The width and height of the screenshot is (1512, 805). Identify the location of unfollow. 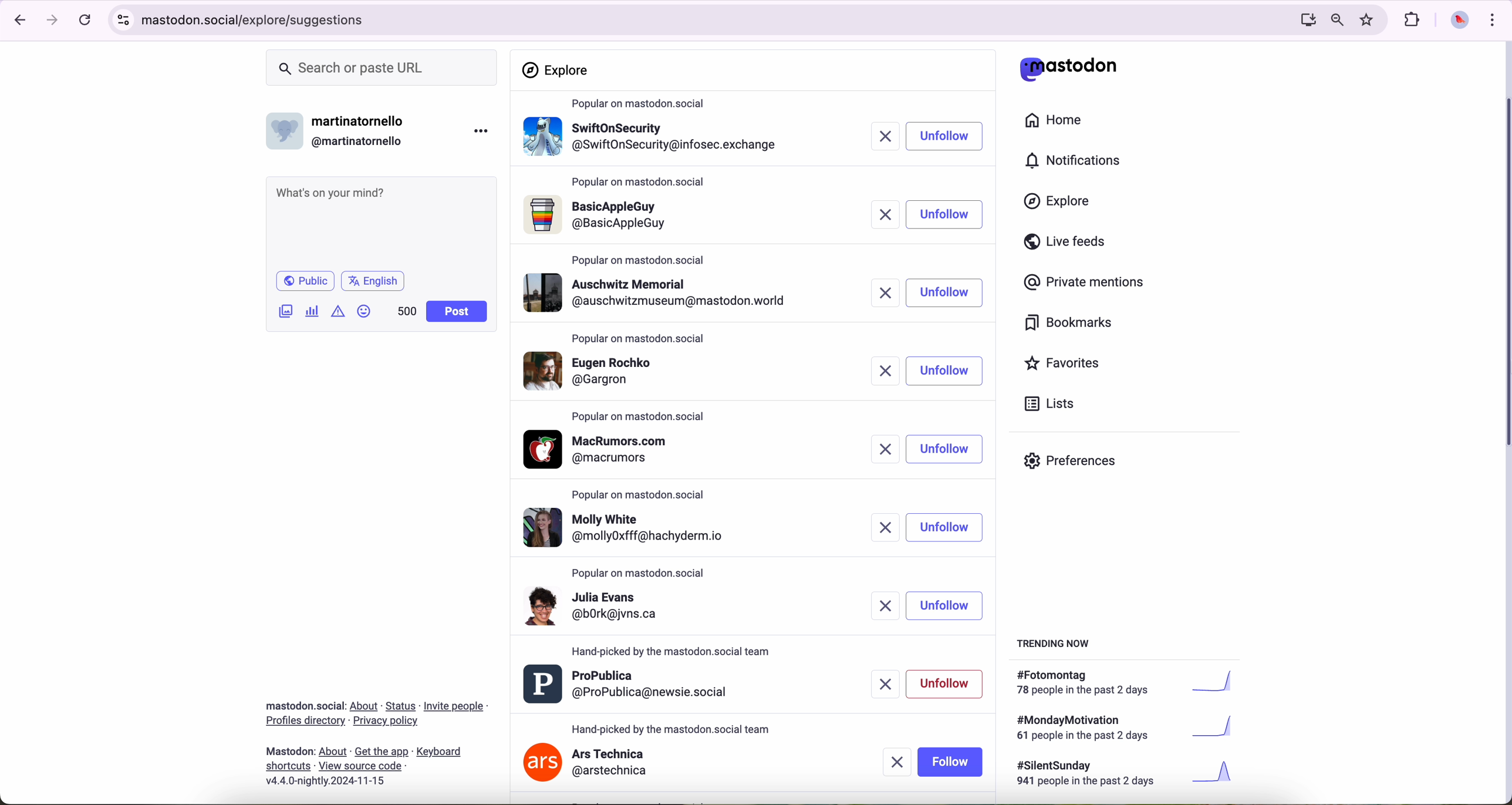
(947, 683).